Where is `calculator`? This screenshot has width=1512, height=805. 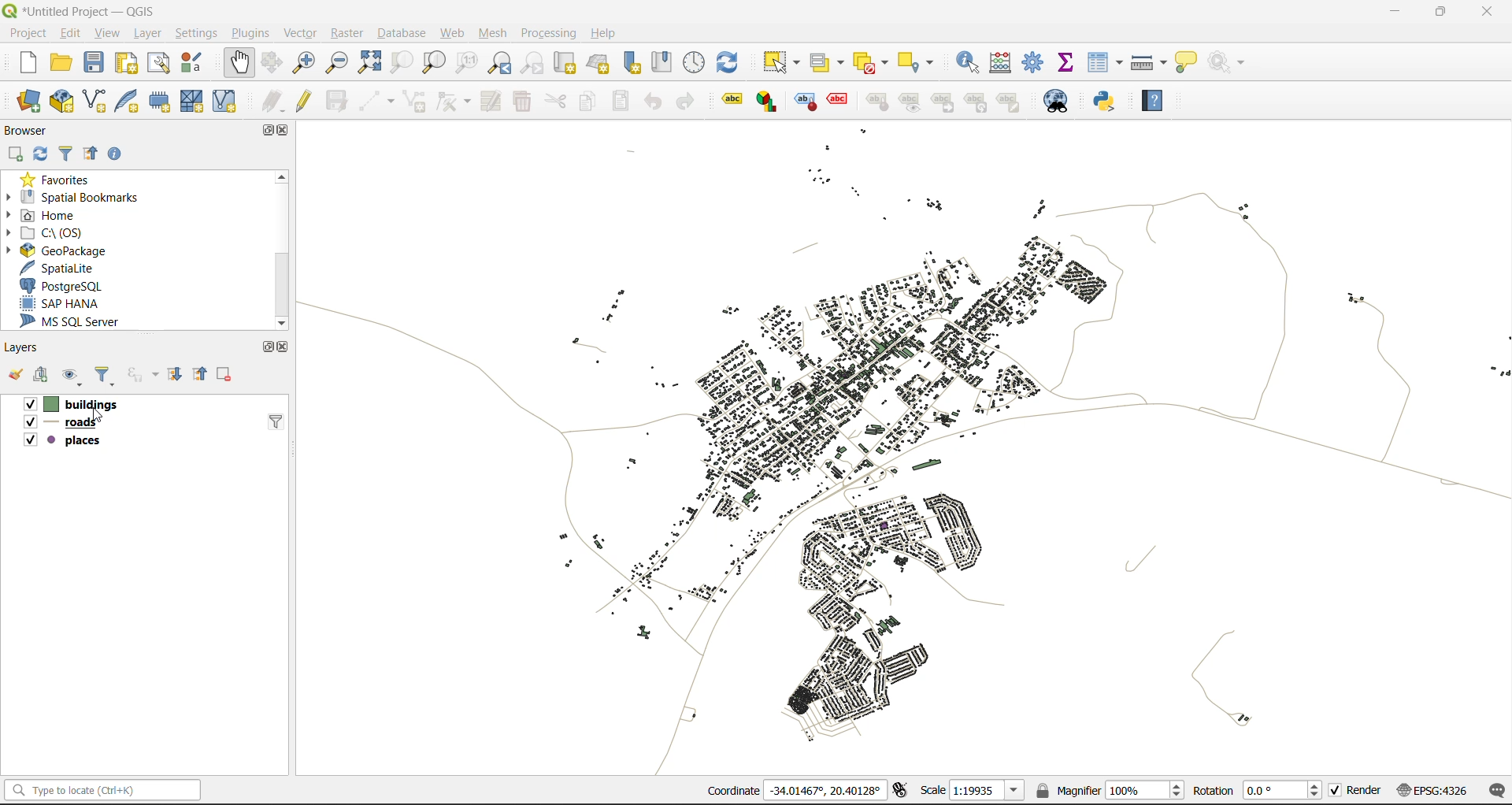 calculator is located at coordinates (1002, 65).